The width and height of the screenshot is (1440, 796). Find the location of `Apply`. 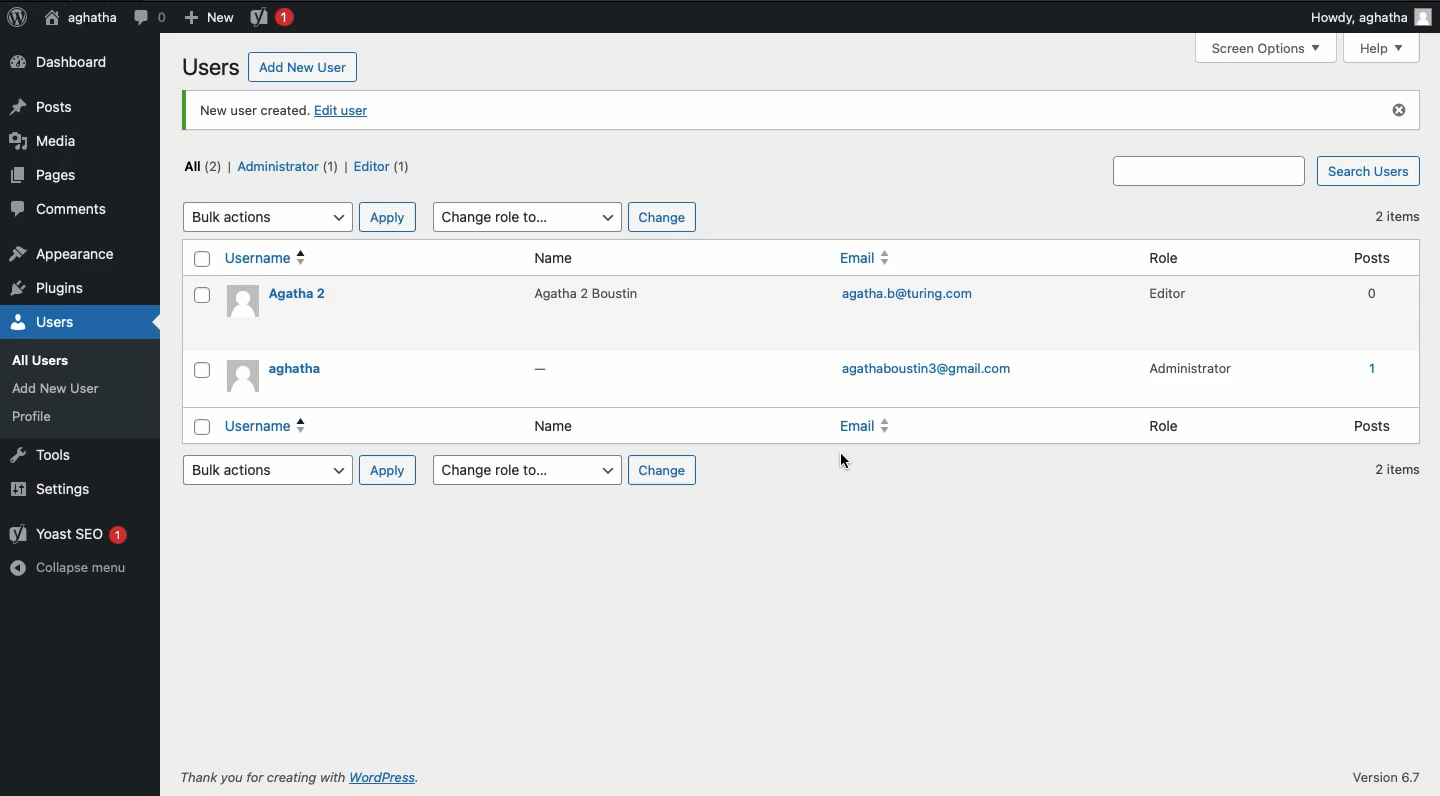

Apply is located at coordinates (386, 470).